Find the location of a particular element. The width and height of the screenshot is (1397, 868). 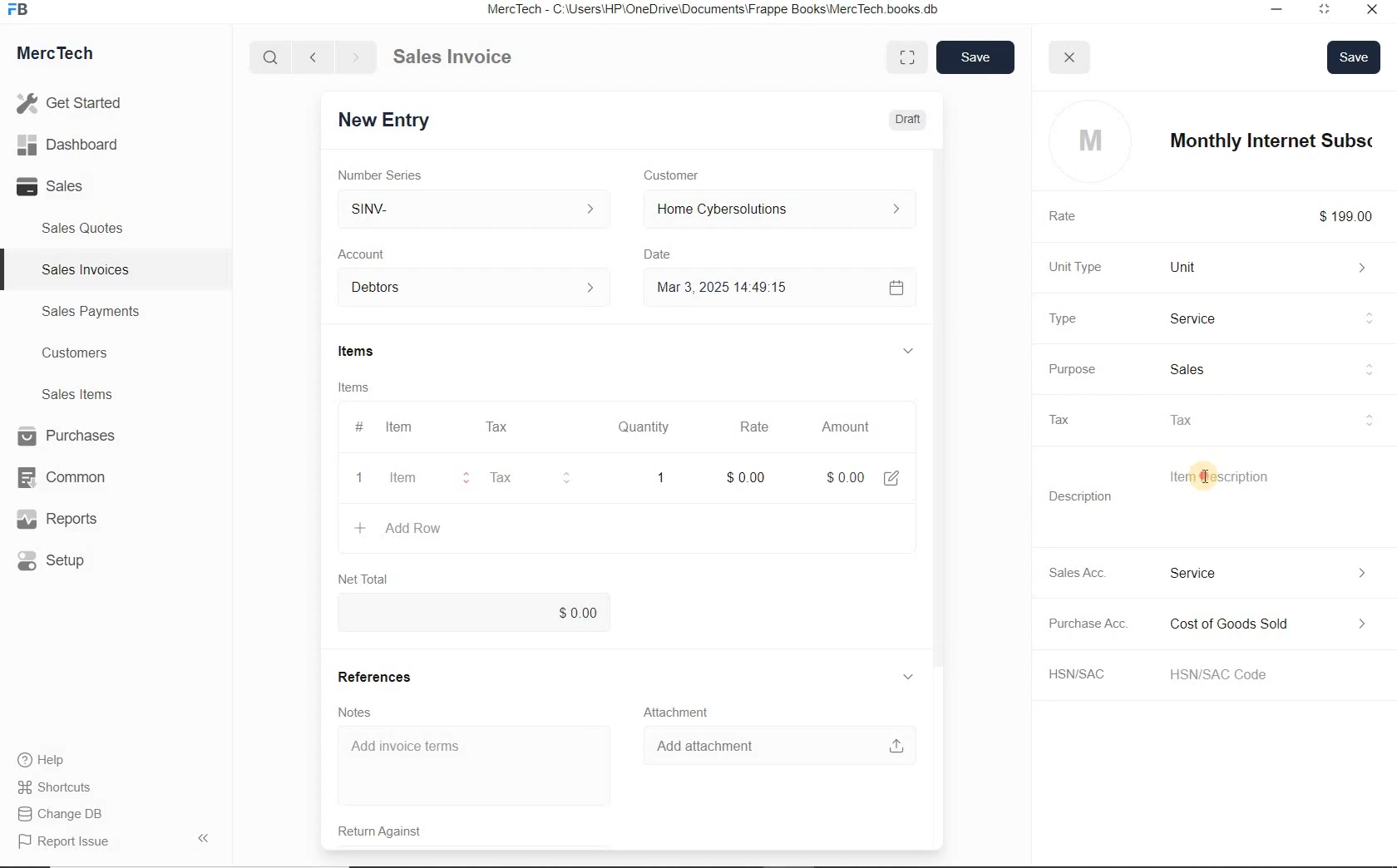

Toggle between form and full width is located at coordinates (909, 58).